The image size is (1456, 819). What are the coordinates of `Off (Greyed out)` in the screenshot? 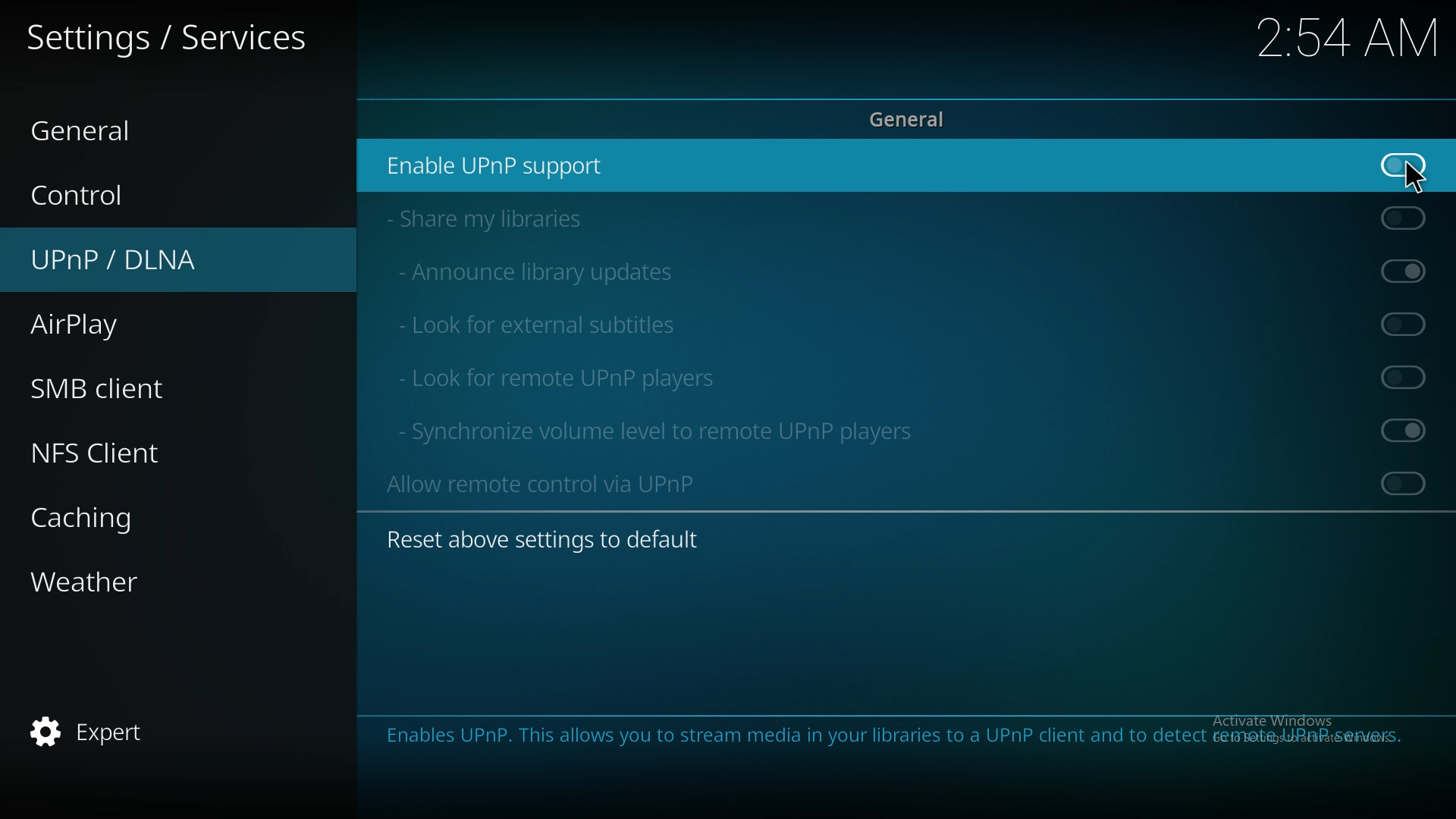 It's located at (1404, 483).